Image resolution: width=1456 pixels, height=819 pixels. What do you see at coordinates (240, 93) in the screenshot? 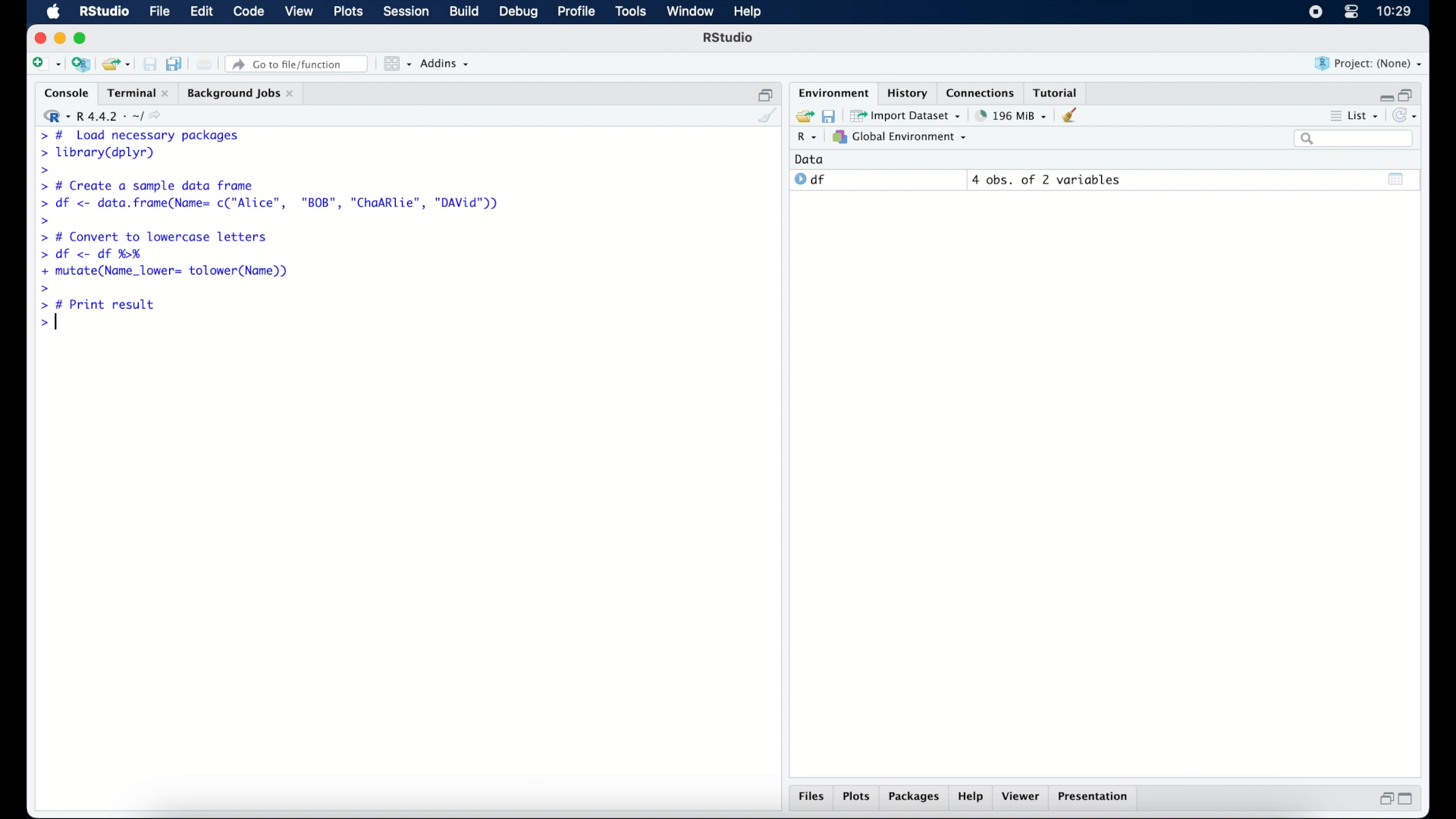
I see `background jobs` at bounding box center [240, 93].